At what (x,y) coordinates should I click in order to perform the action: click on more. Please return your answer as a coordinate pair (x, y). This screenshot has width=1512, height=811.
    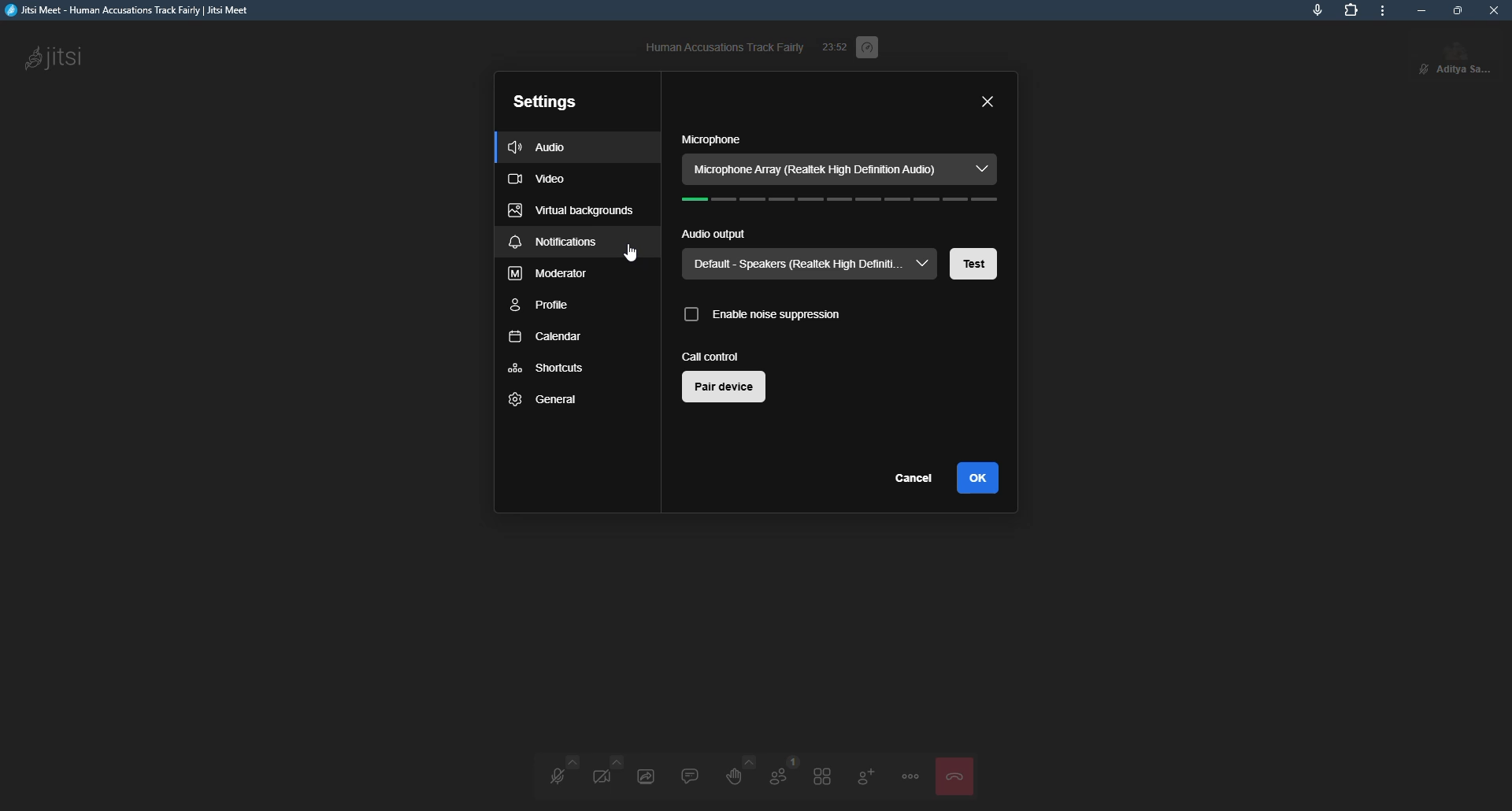
    Looking at the image, I should click on (1385, 10).